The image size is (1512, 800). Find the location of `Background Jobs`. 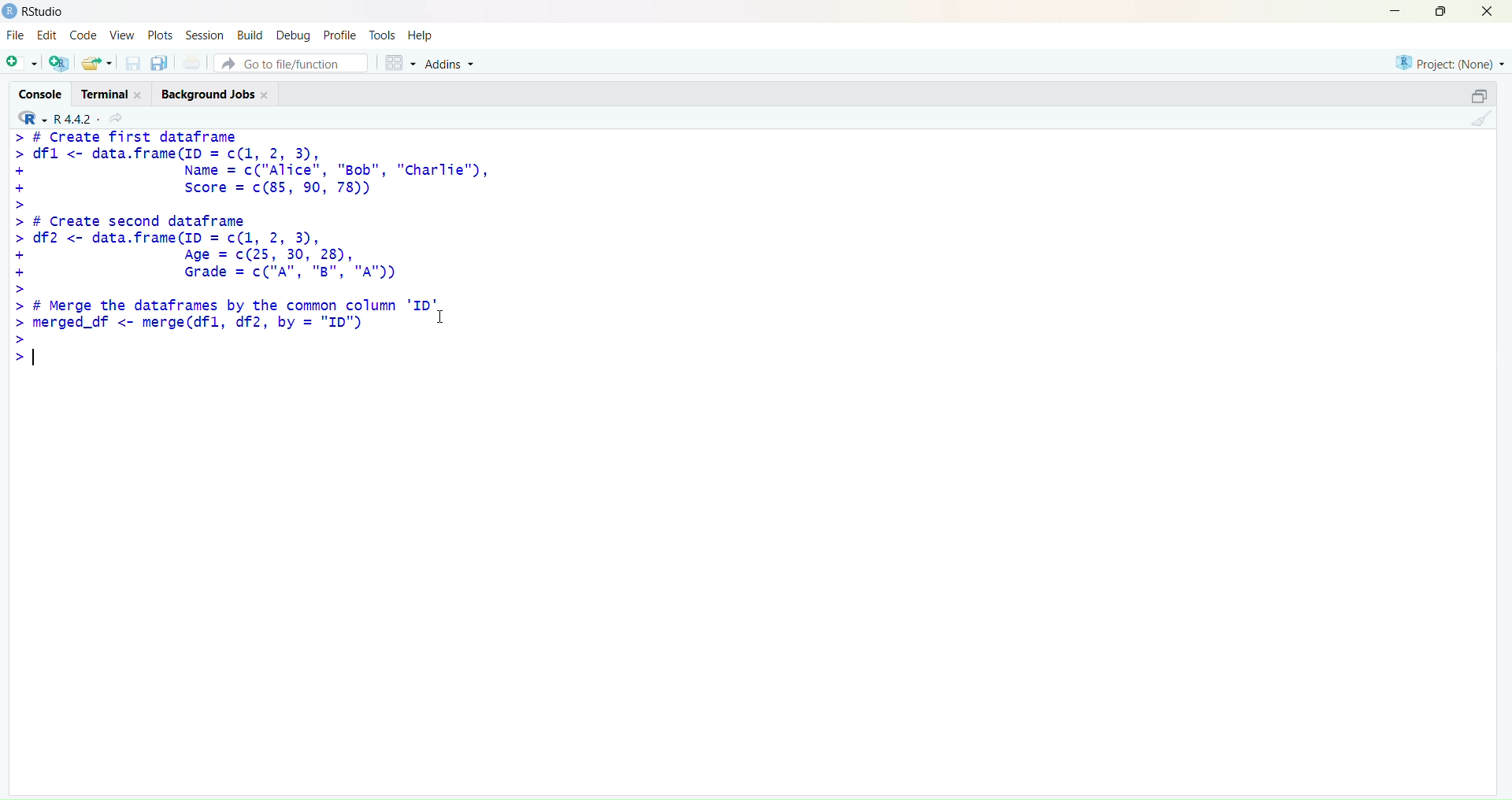

Background Jobs is located at coordinates (217, 93).